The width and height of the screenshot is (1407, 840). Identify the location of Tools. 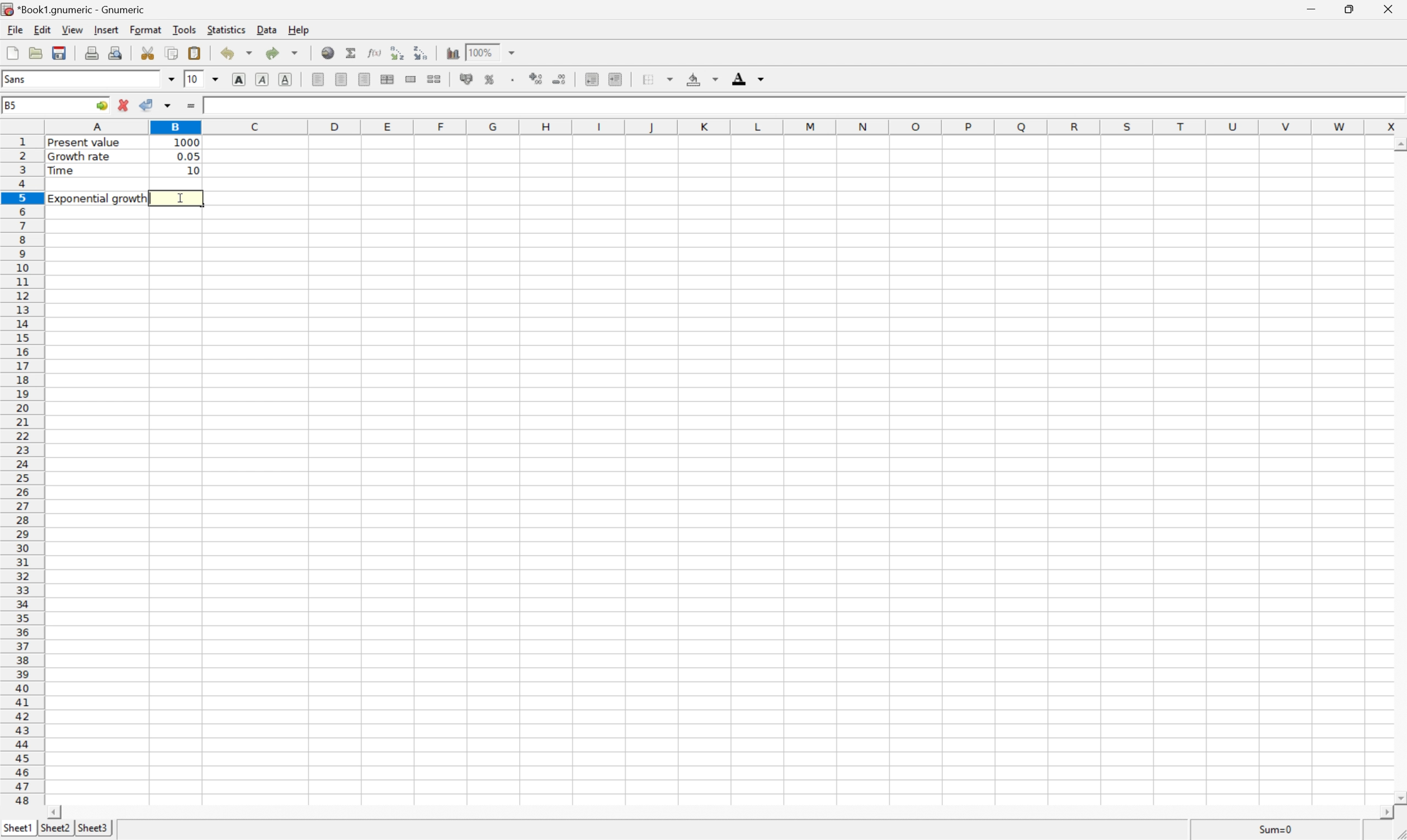
(185, 30).